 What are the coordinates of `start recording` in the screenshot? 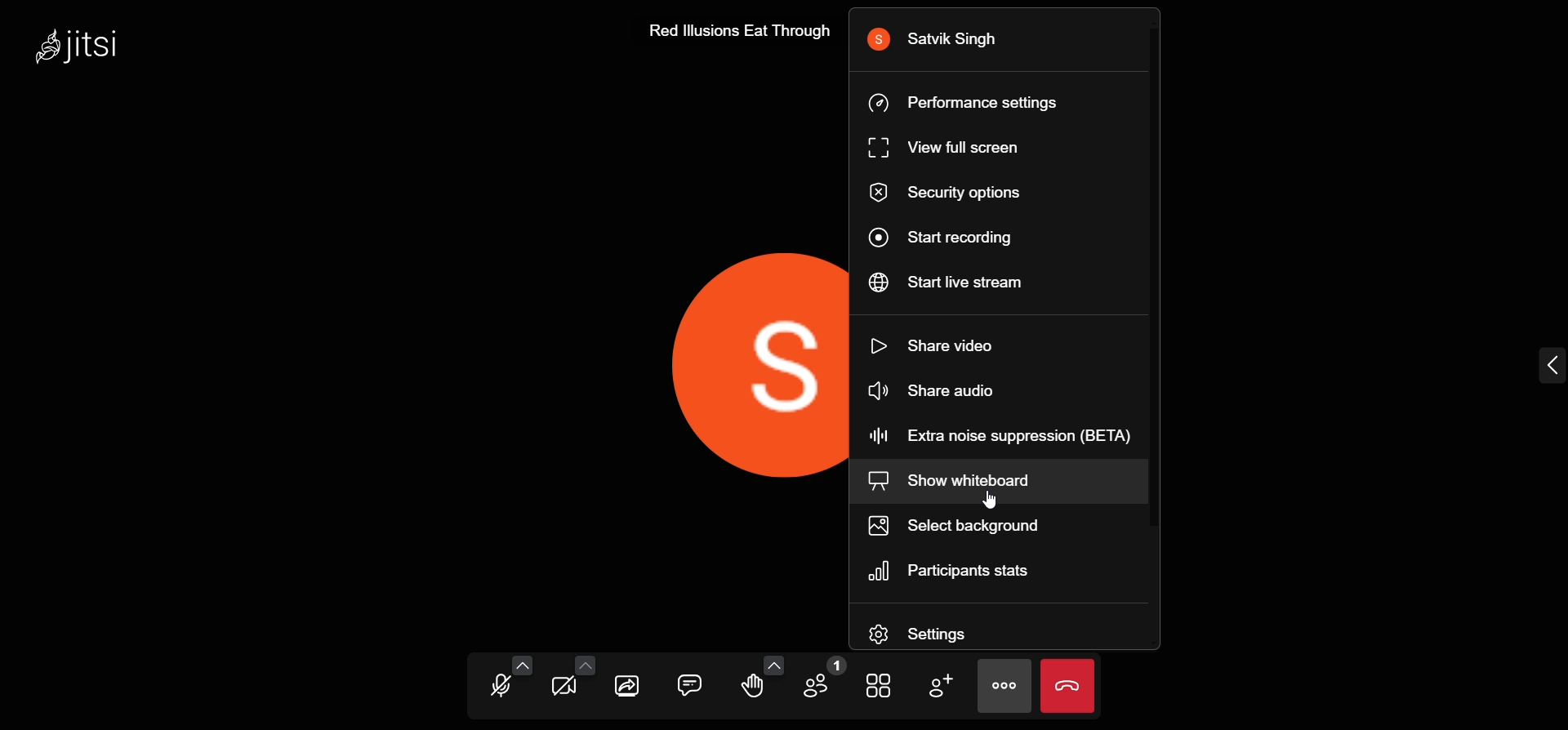 It's located at (954, 236).